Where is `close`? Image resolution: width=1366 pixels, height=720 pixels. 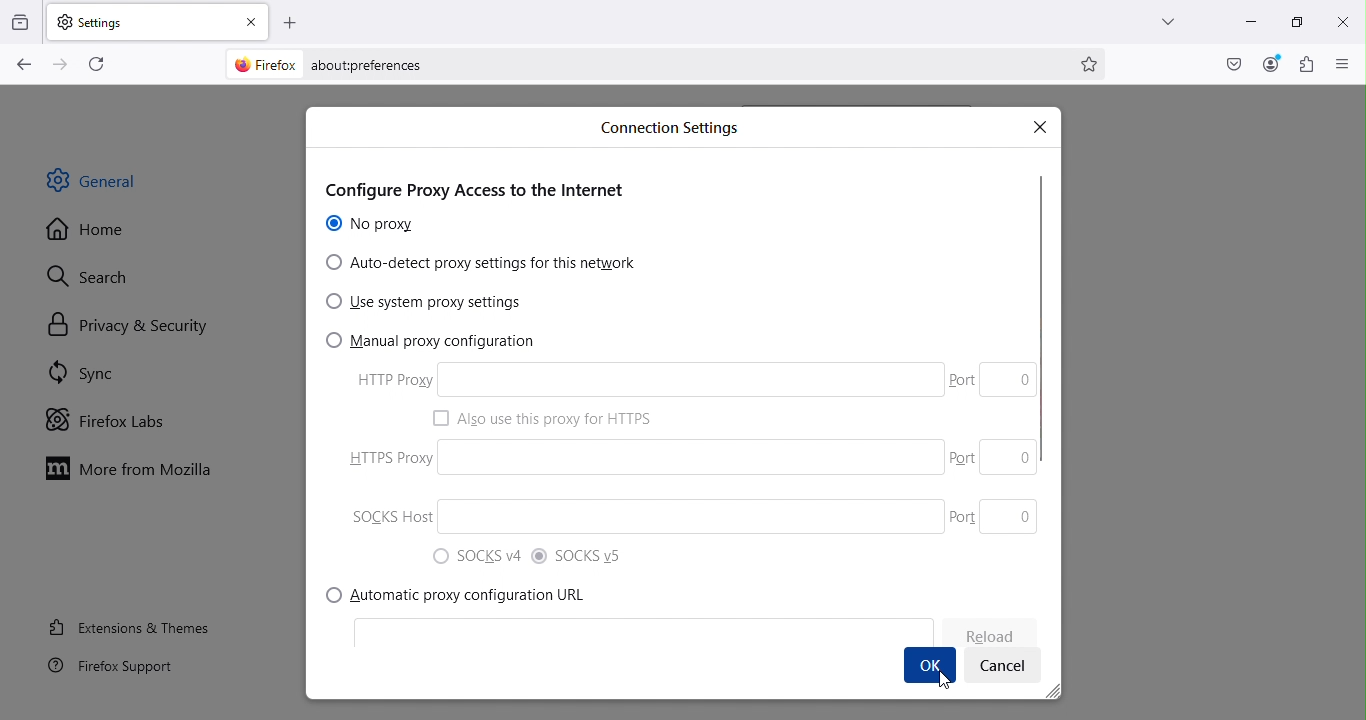 close is located at coordinates (1343, 20).